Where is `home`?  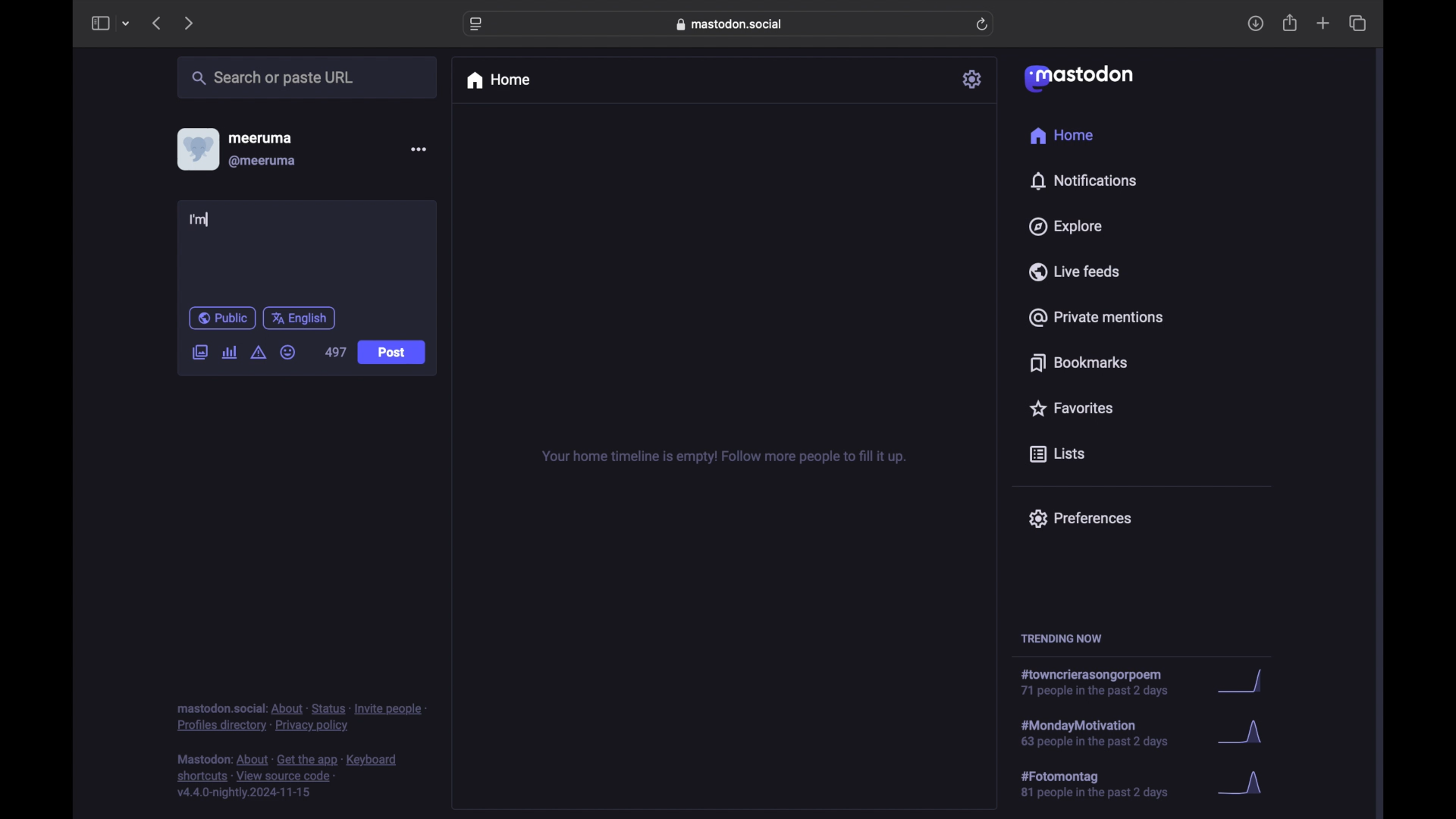
home is located at coordinates (497, 80).